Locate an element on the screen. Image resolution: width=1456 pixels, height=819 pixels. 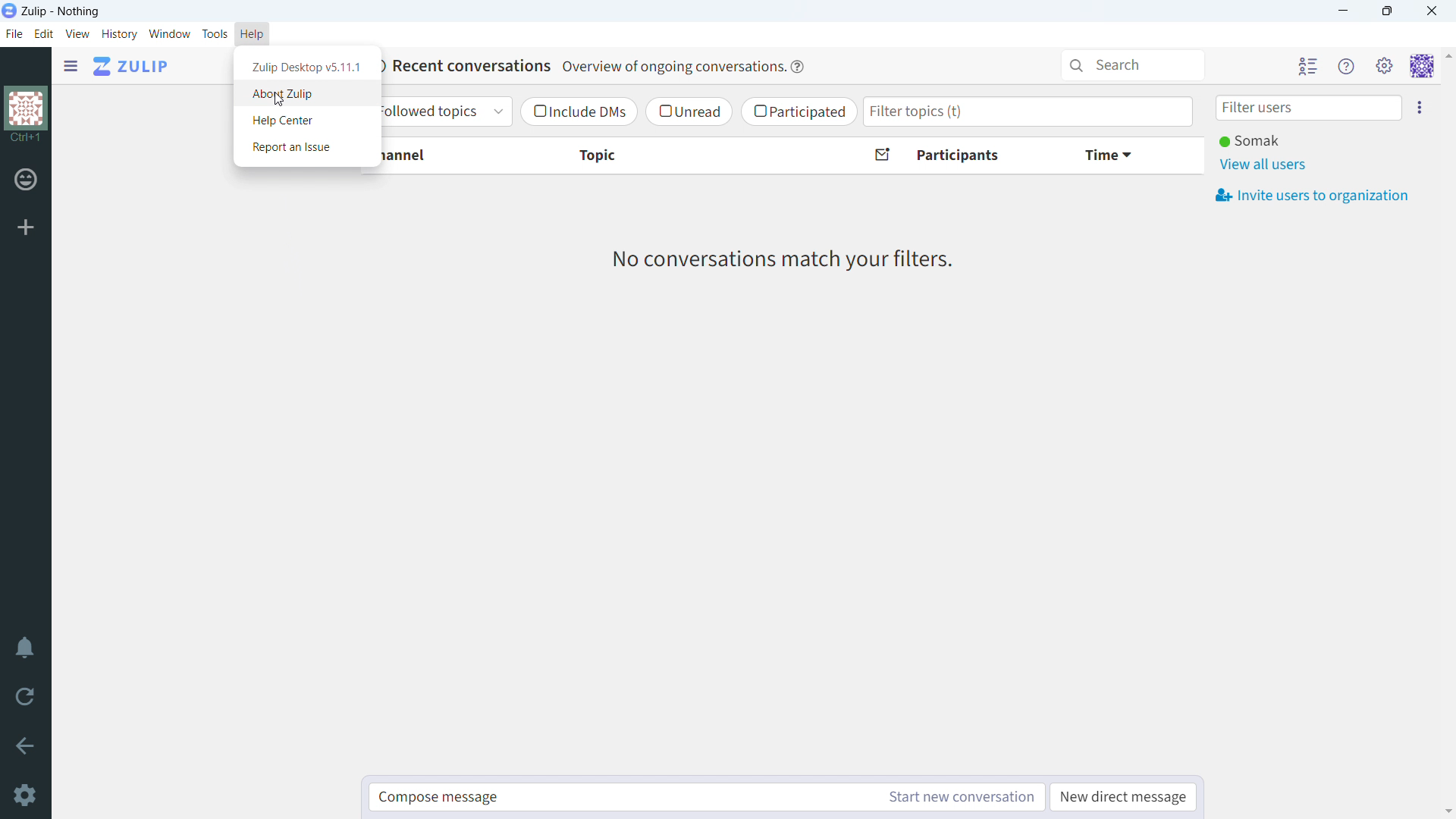
unread is located at coordinates (687, 111).